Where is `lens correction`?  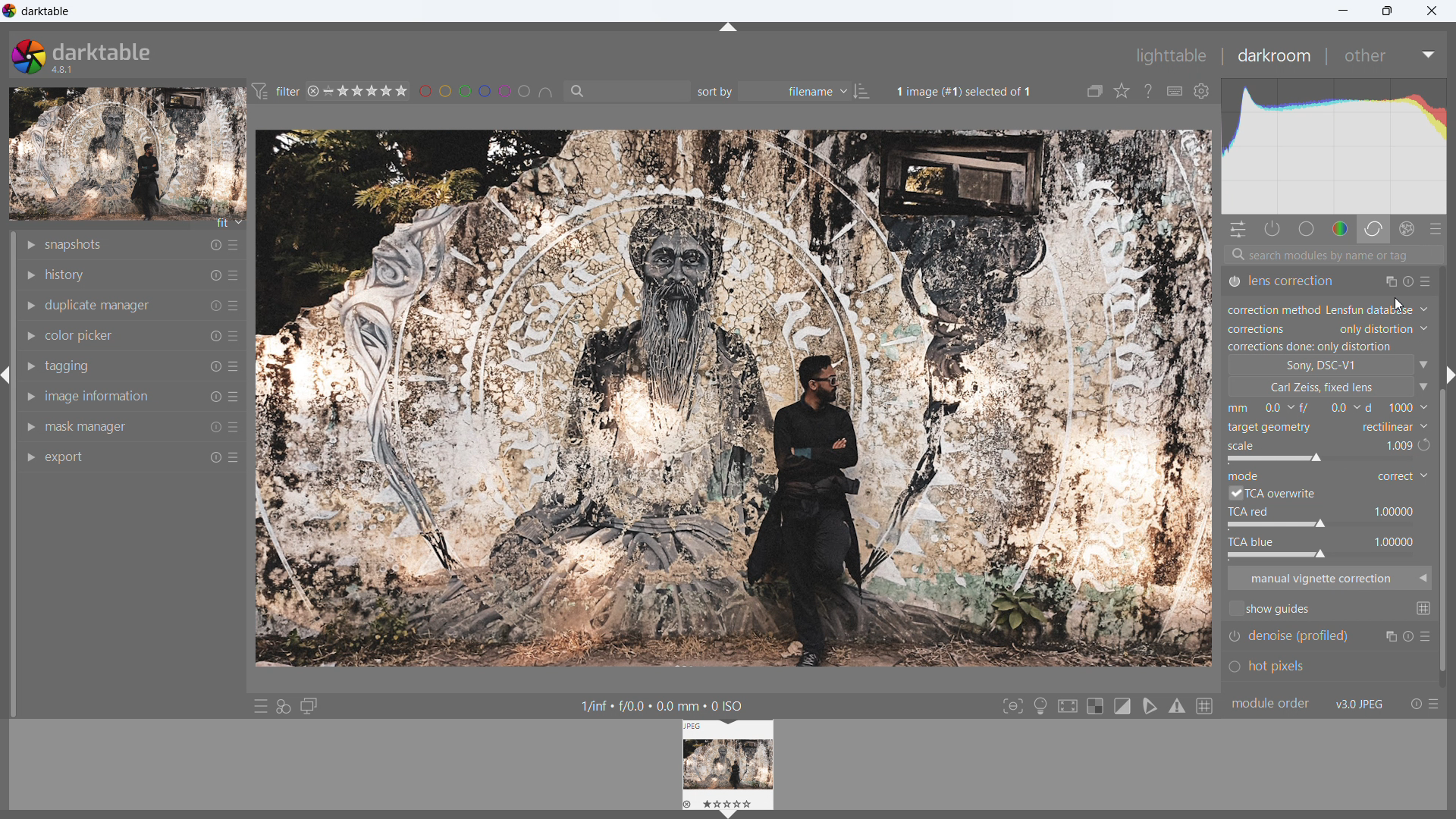 lens correction is located at coordinates (1330, 284).